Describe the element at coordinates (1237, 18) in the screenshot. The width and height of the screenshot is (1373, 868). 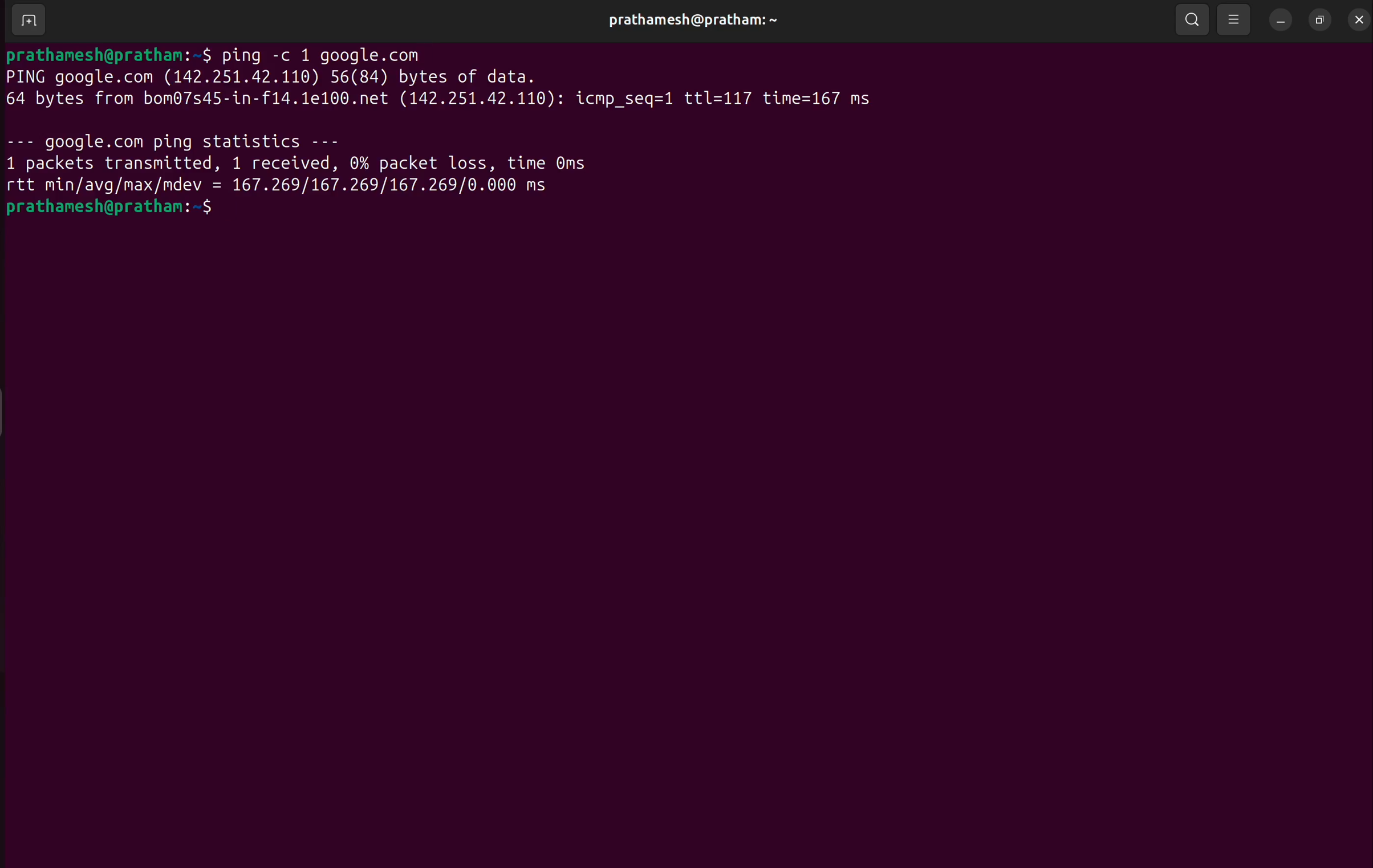
I see `view options` at that location.